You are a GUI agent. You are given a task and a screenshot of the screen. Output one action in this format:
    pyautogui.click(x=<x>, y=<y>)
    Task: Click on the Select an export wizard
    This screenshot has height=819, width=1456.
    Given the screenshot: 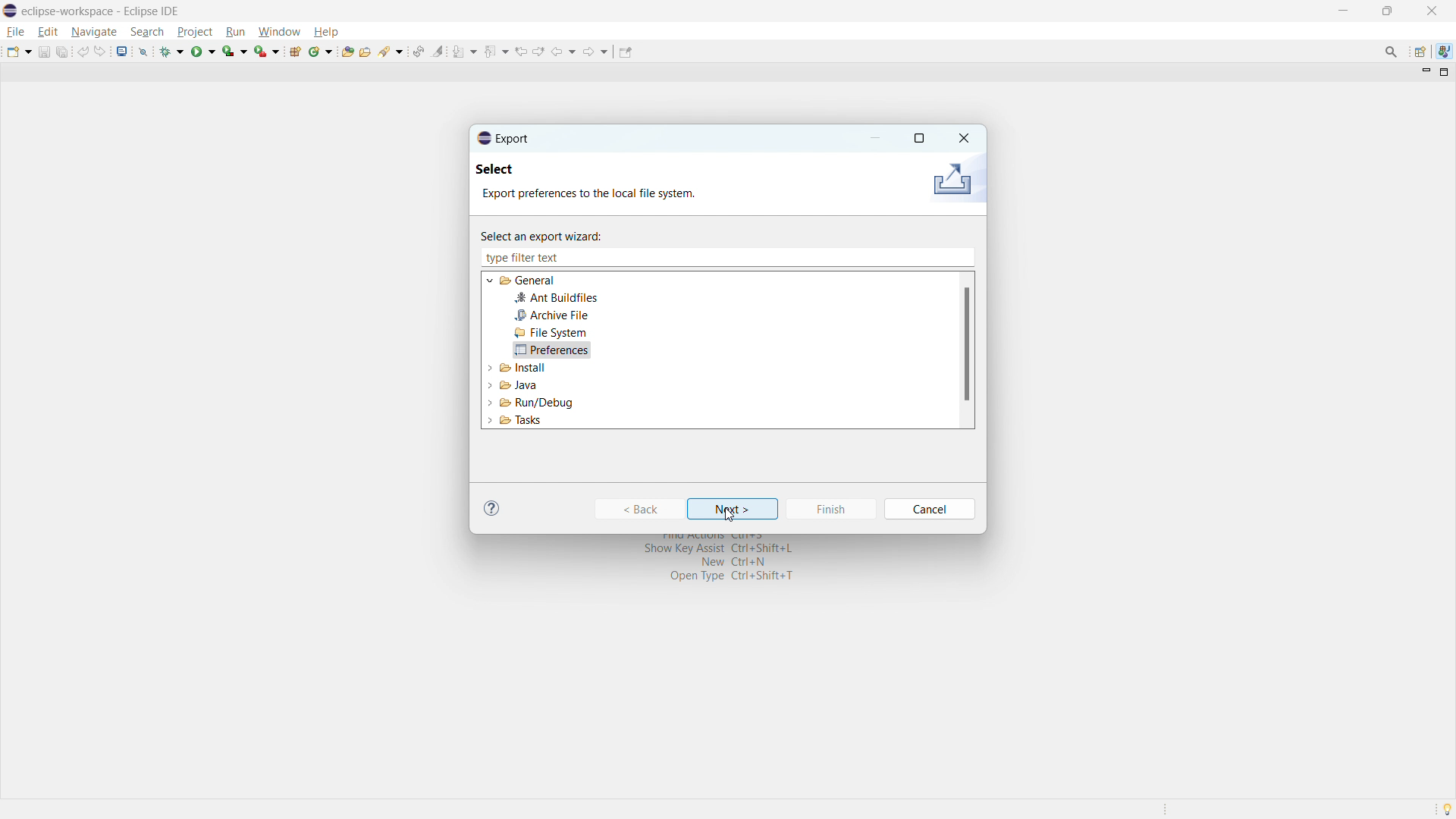 What is the action you would take?
    pyautogui.click(x=552, y=234)
    